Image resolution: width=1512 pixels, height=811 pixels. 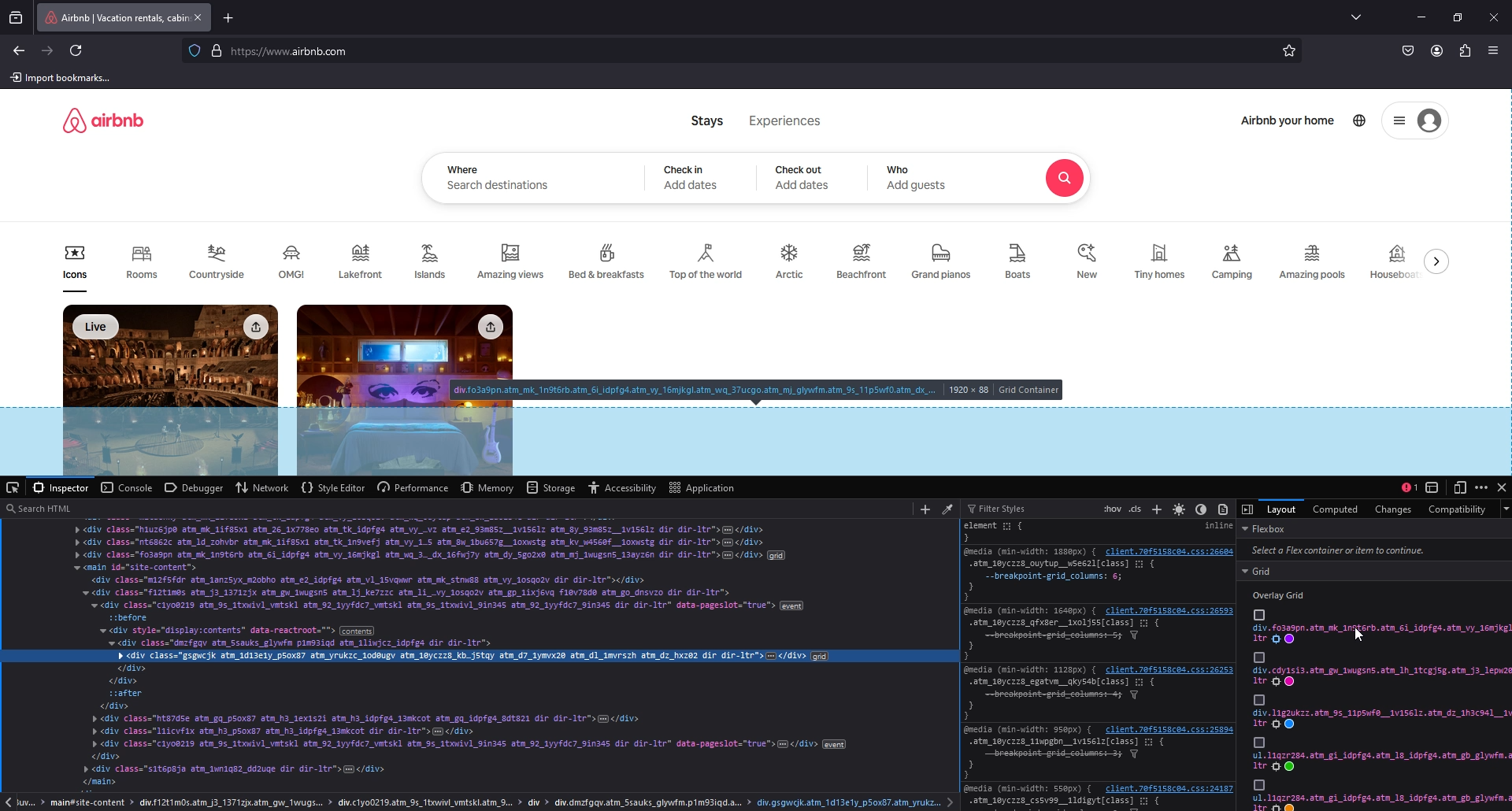 I want to click on boats, so click(x=1022, y=261).